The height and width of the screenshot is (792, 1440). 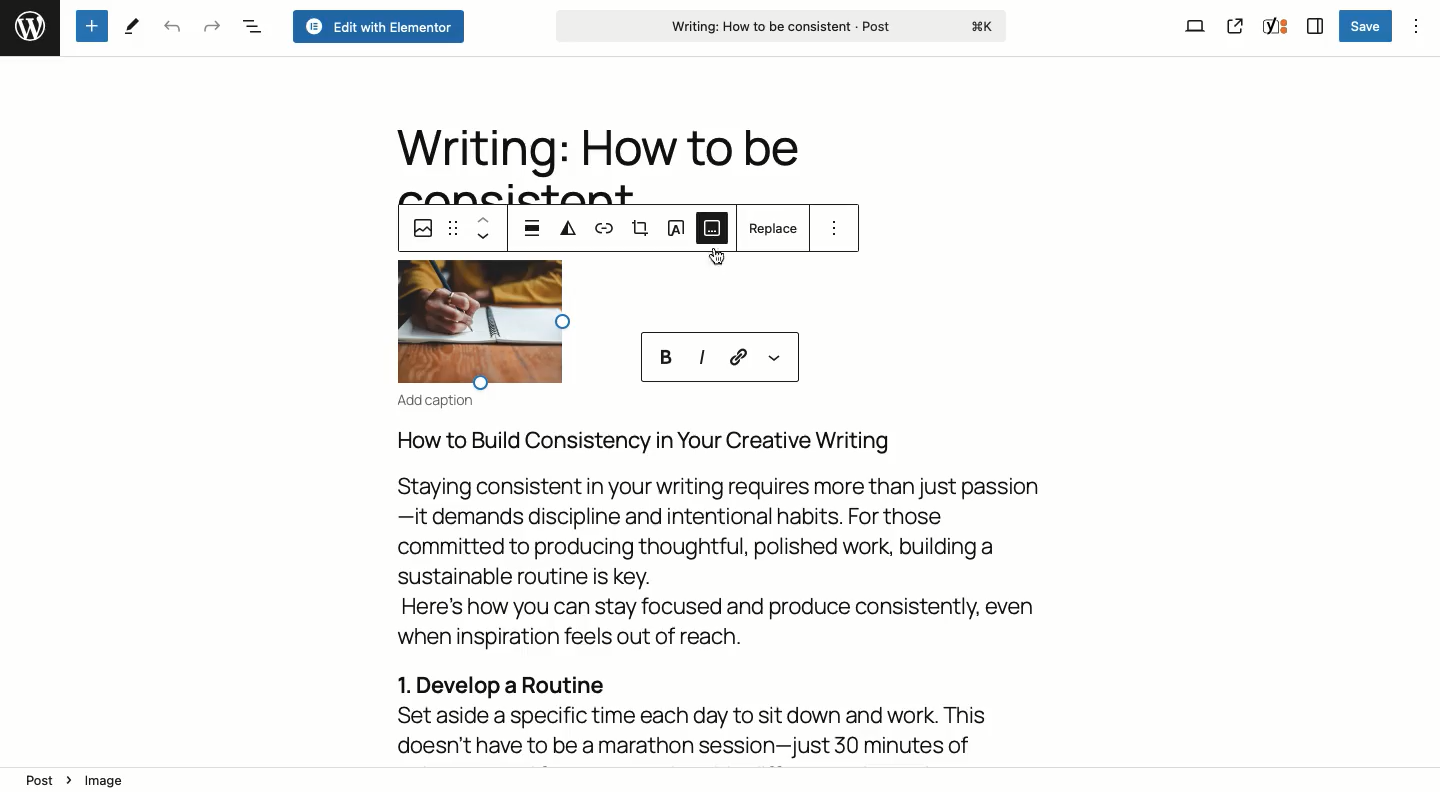 What do you see at coordinates (668, 356) in the screenshot?
I see `Bold` at bounding box center [668, 356].